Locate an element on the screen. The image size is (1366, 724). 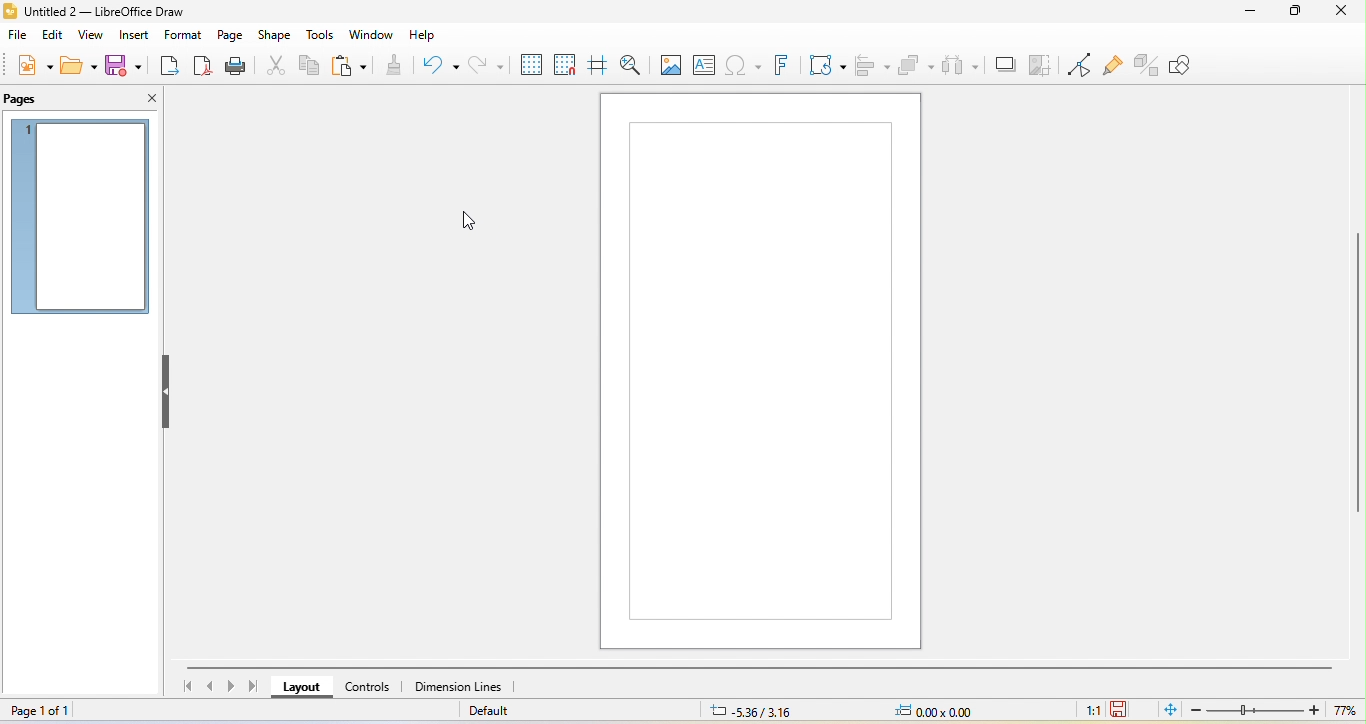
first page is located at coordinates (185, 689).